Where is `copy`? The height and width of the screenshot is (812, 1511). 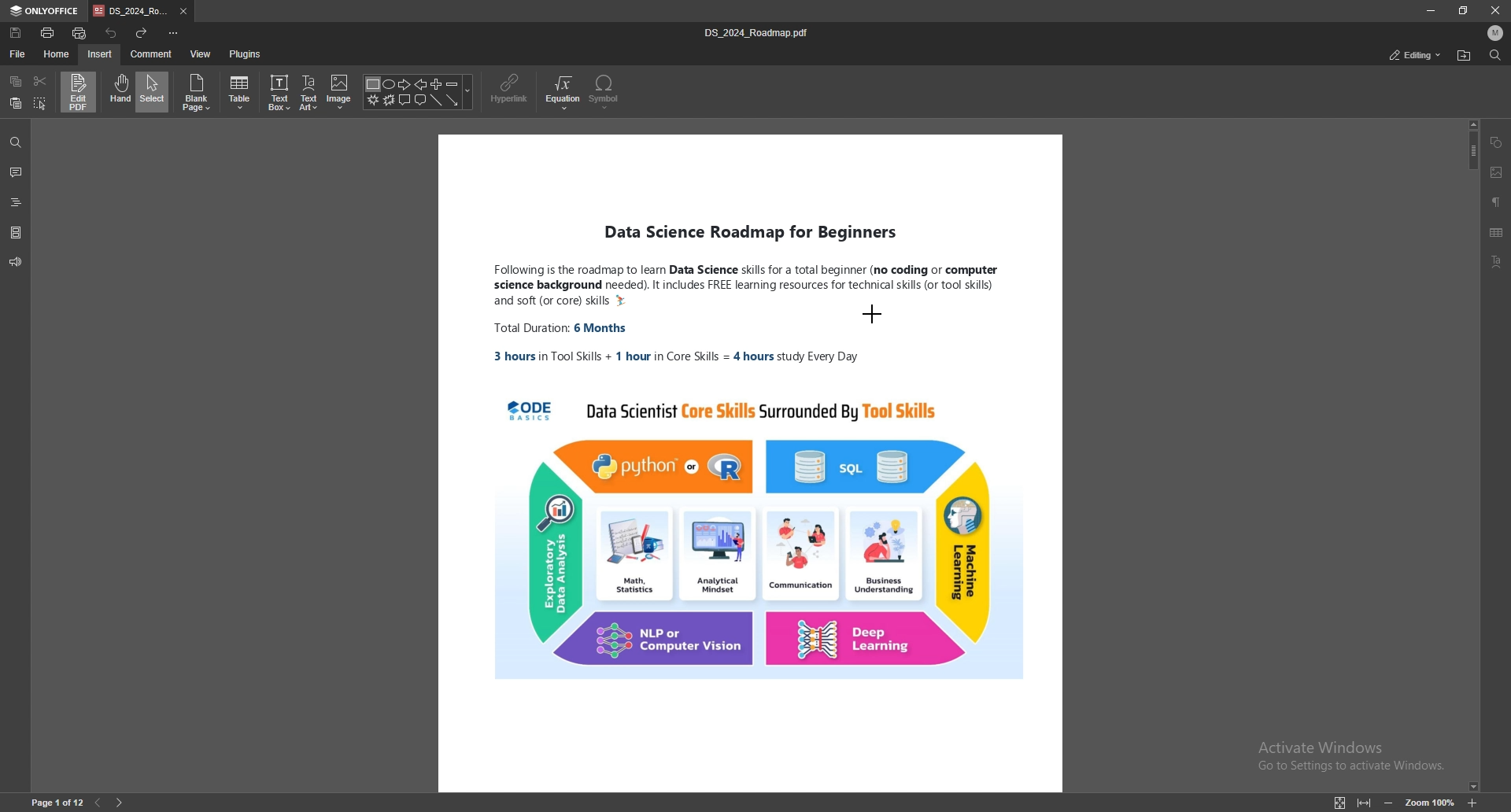 copy is located at coordinates (17, 81).